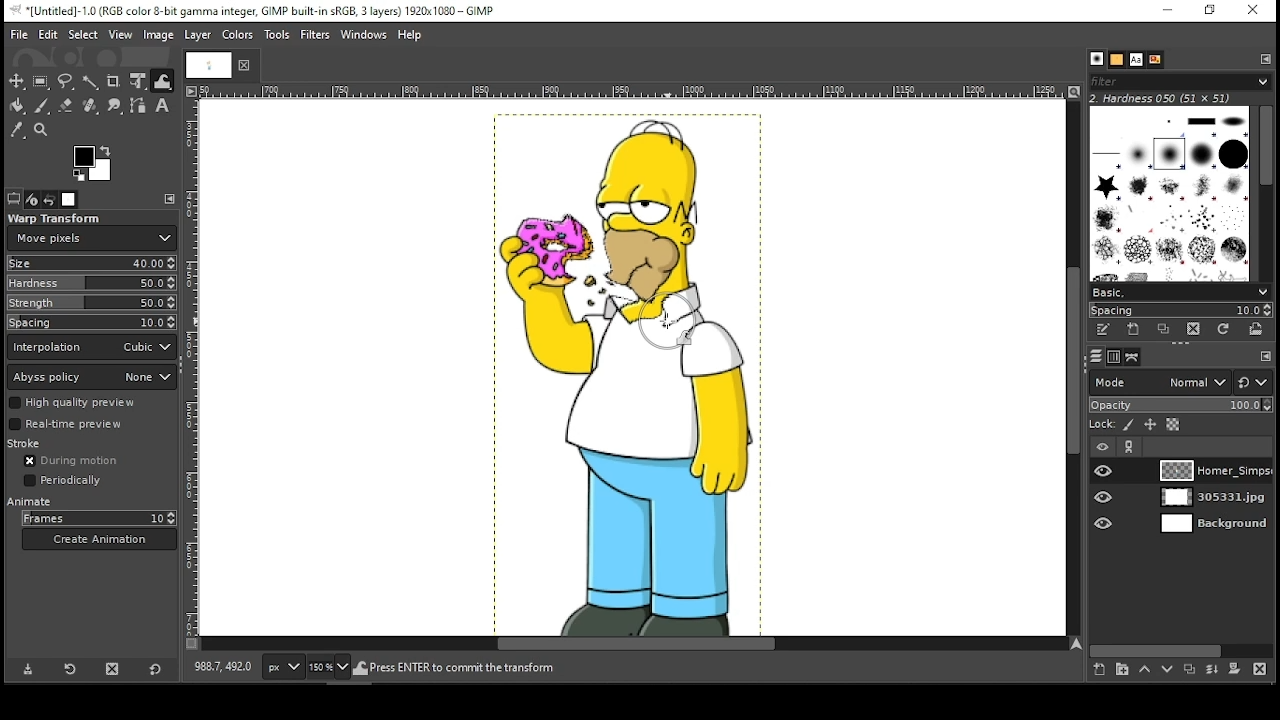 This screenshot has height=720, width=1280. Describe the element at coordinates (98, 538) in the screenshot. I see `create animation` at that location.